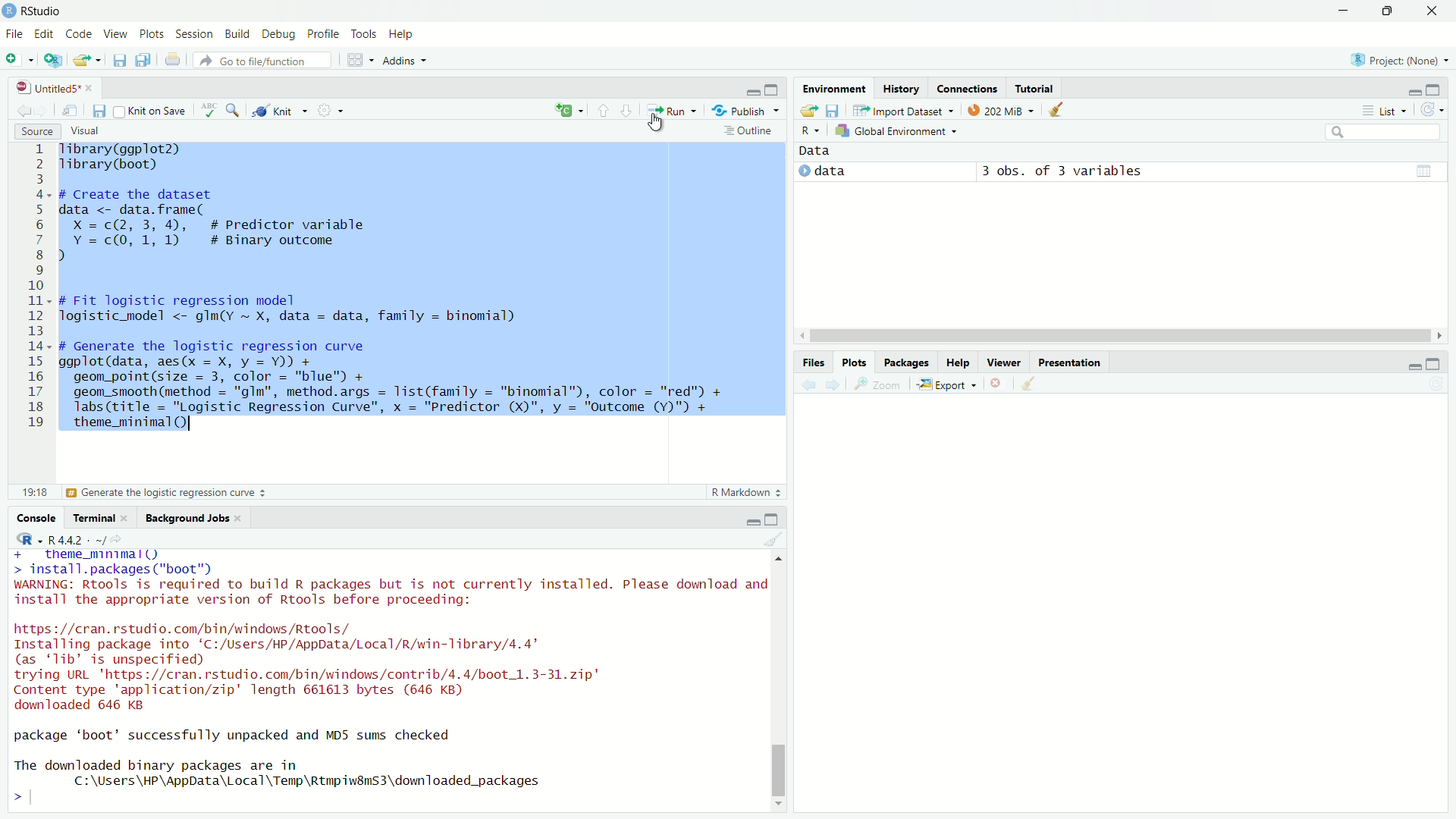 This screenshot has height=819, width=1456. What do you see at coordinates (38, 131) in the screenshot?
I see `Source` at bounding box center [38, 131].